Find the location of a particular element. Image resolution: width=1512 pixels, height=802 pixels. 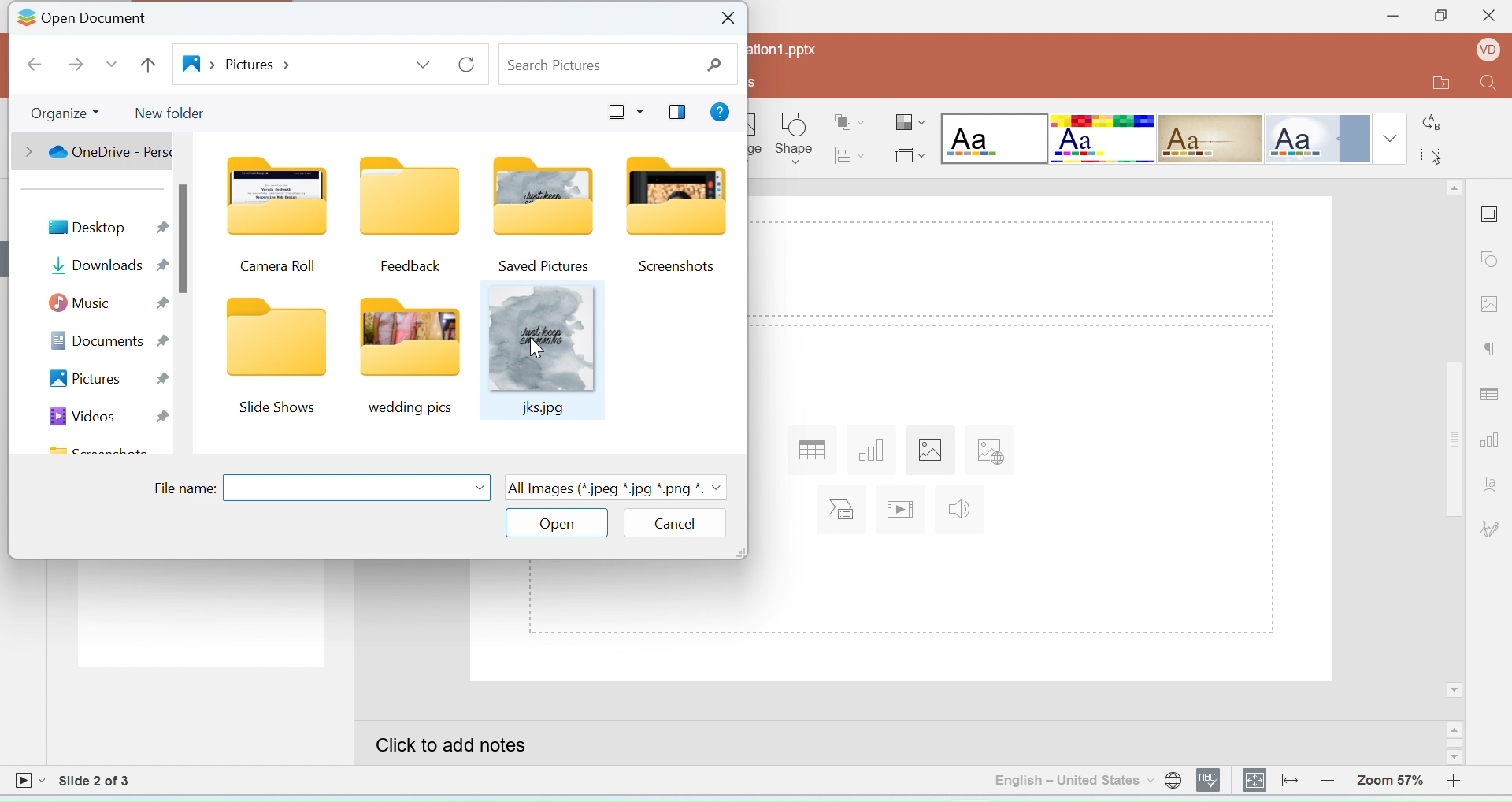

Paragraph settings is located at coordinates (1492, 351).